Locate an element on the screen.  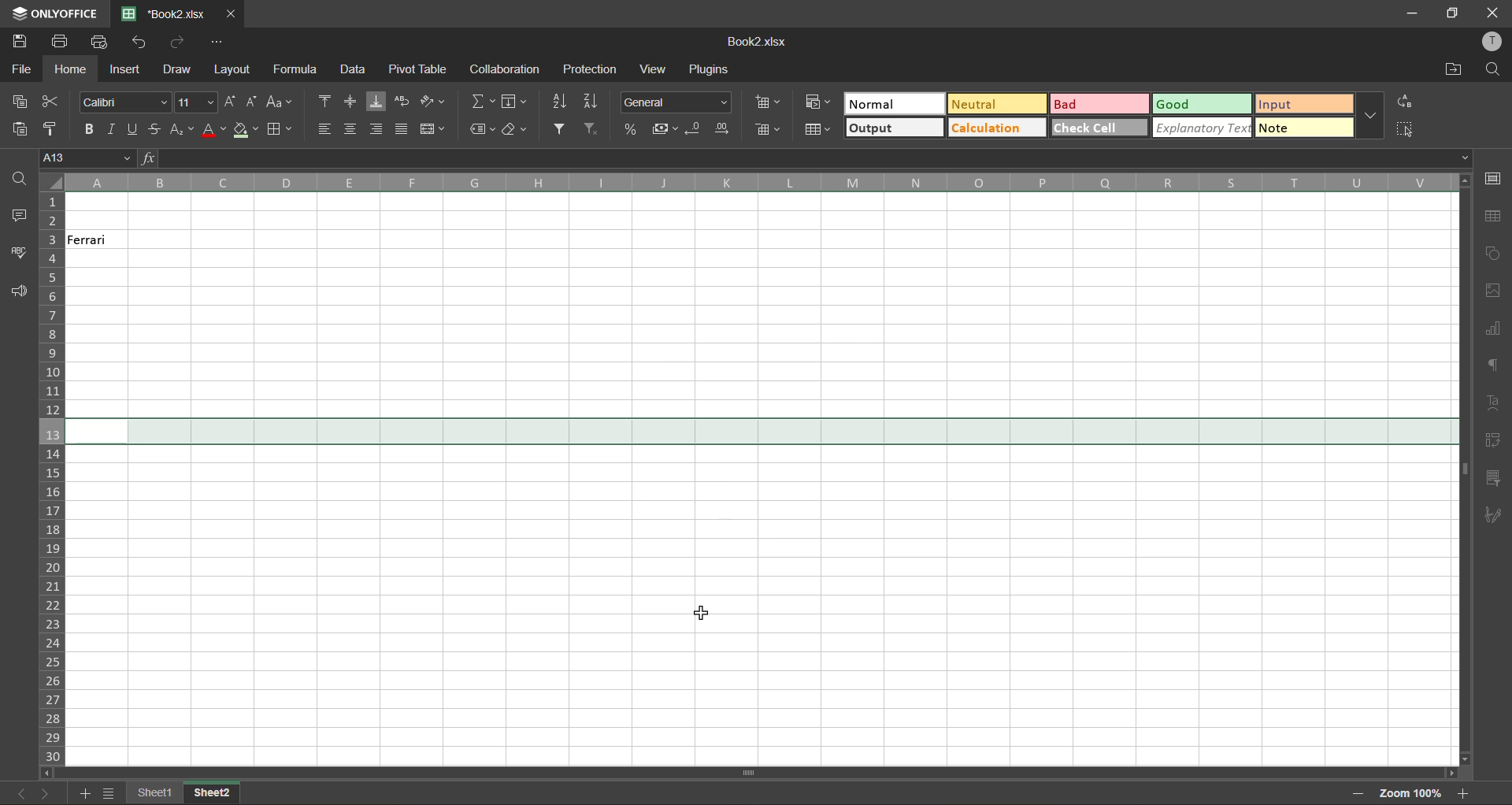
select all is located at coordinates (1403, 129).